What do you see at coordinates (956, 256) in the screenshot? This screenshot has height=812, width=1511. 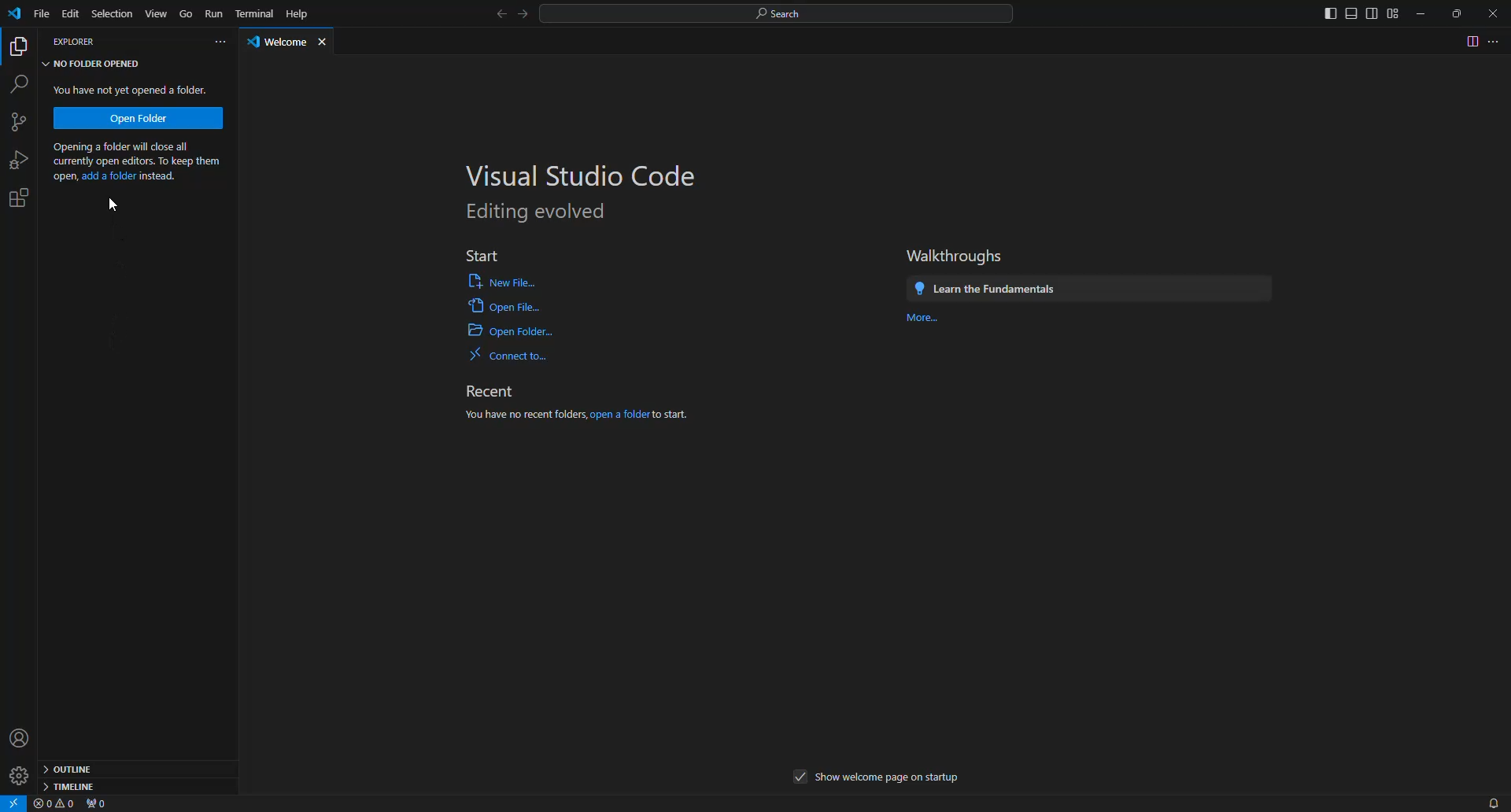 I see `walkthroughs` at bounding box center [956, 256].